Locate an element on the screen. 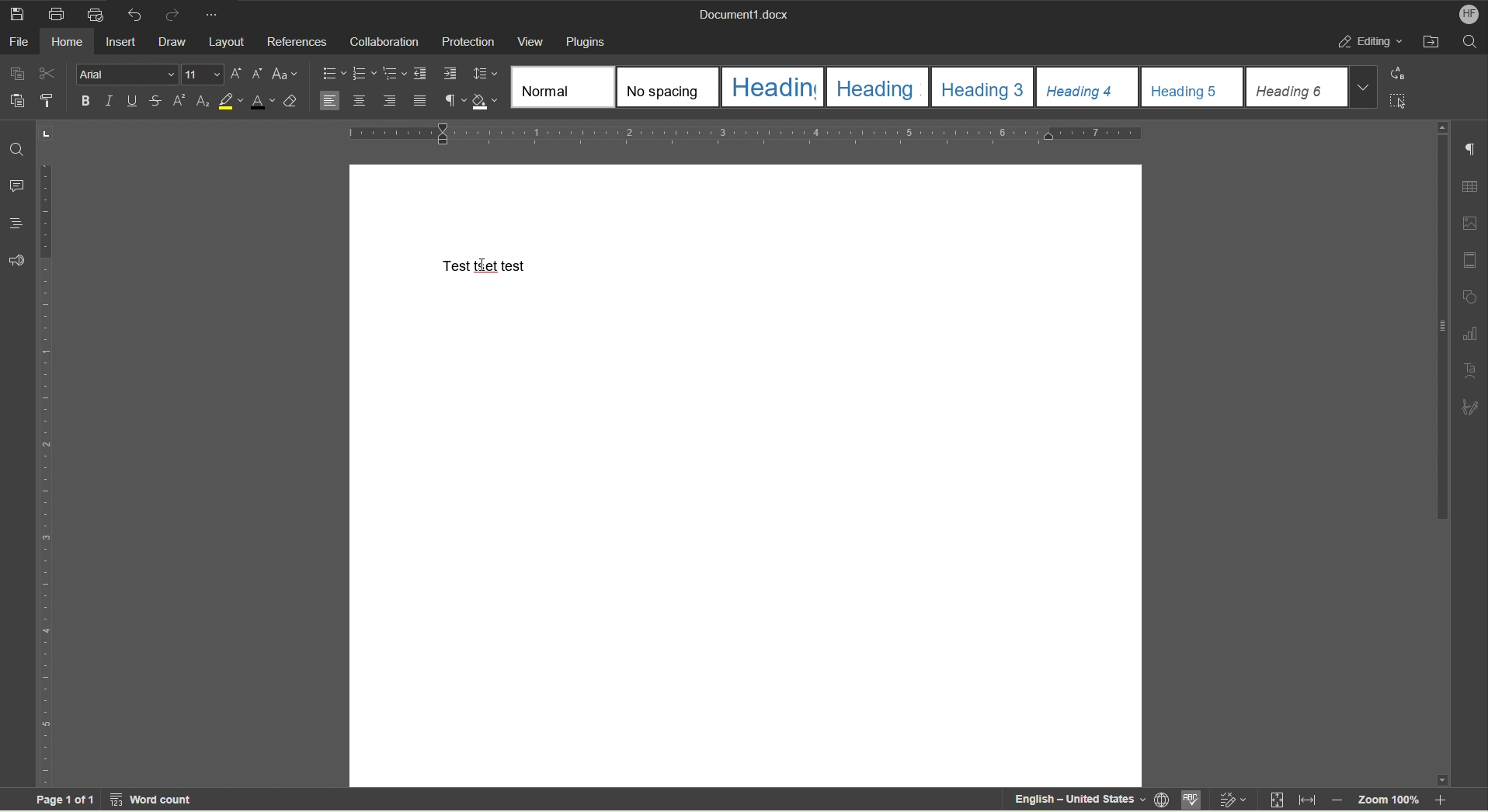  Text Art is located at coordinates (1469, 371).